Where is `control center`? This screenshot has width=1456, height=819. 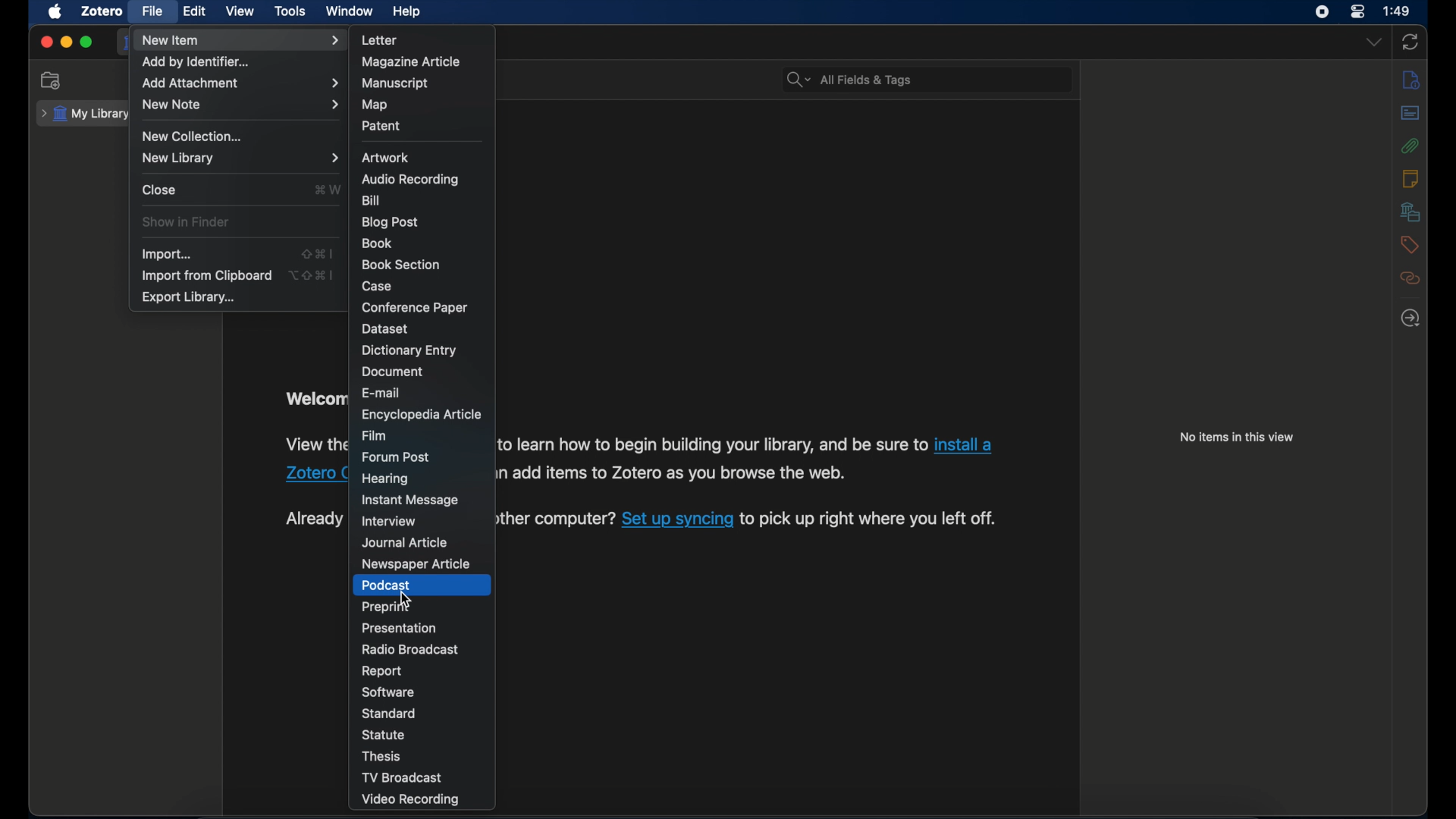 control center is located at coordinates (1357, 12).